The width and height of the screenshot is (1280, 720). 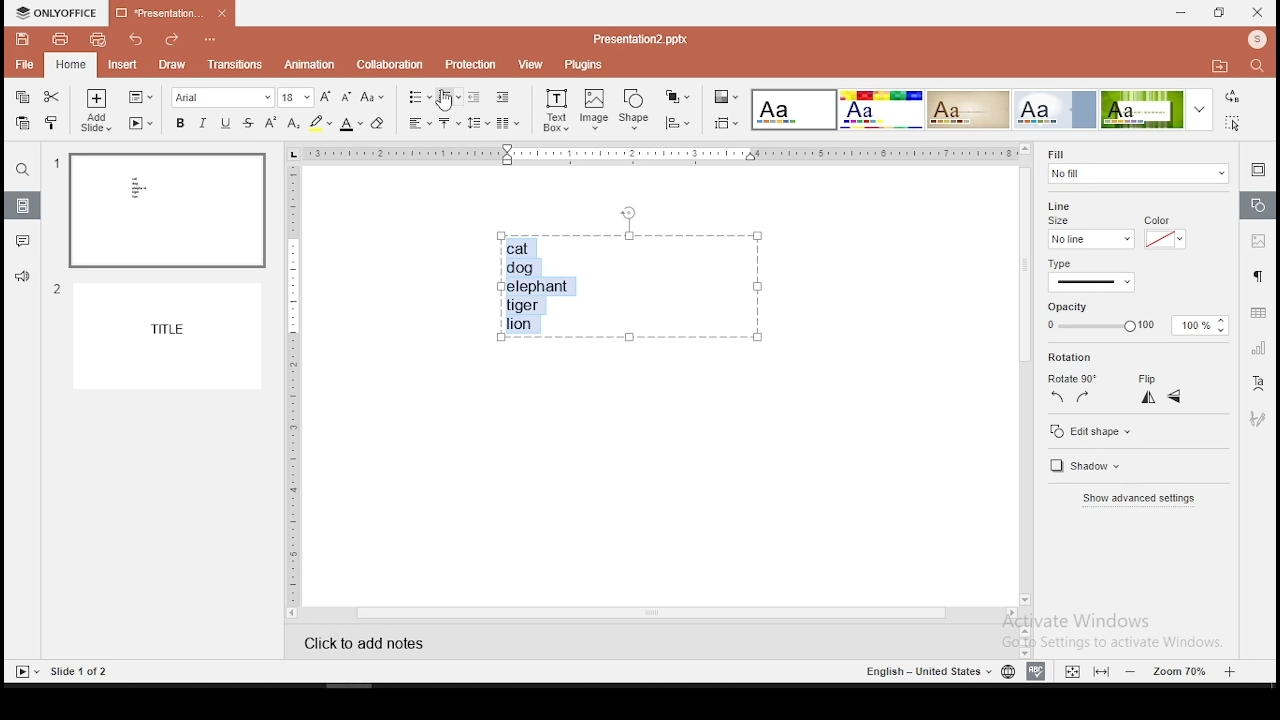 I want to click on line color, so click(x=1163, y=233).